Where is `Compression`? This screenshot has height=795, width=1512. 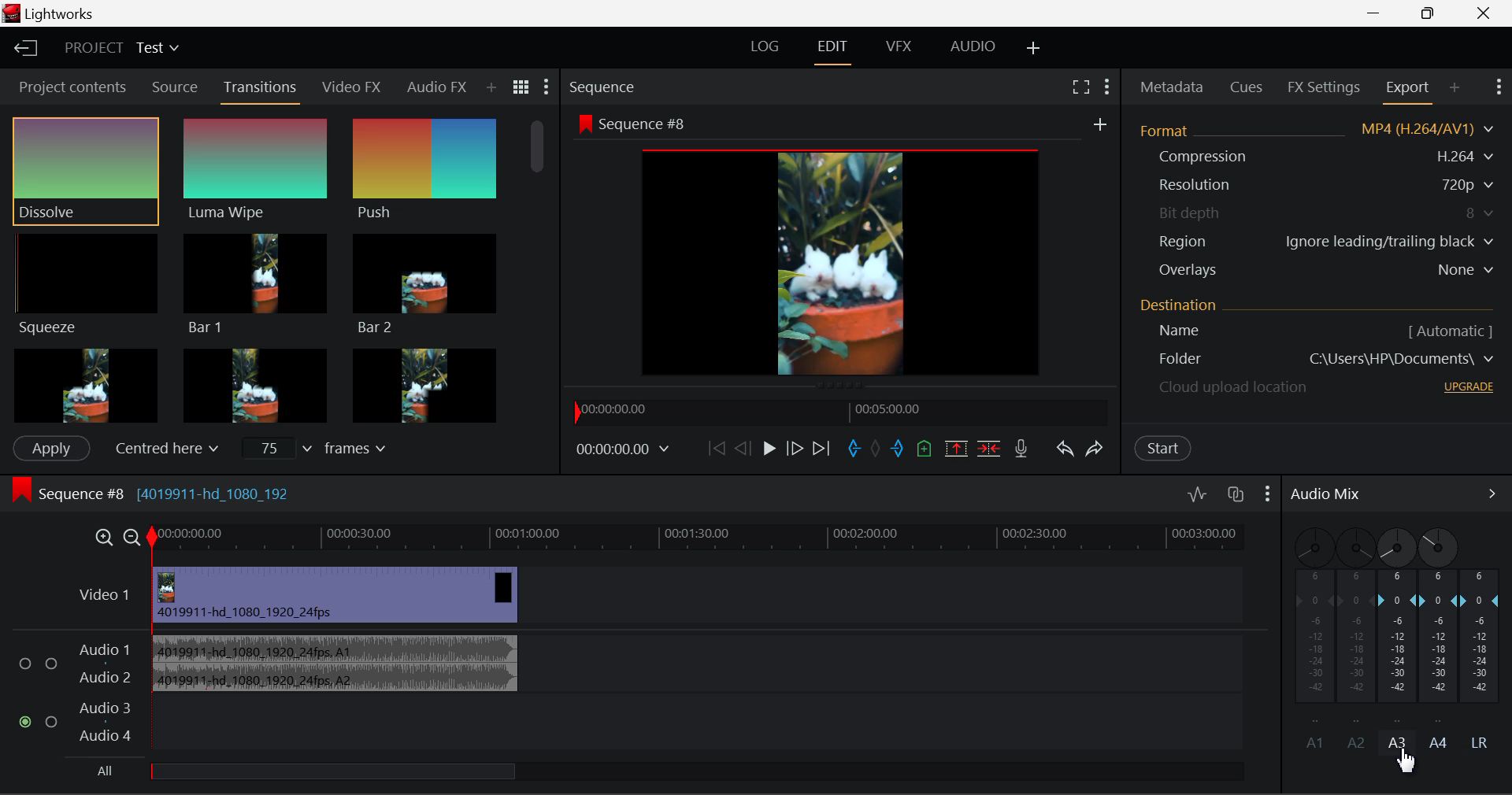
Compression is located at coordinates (1314, 156).